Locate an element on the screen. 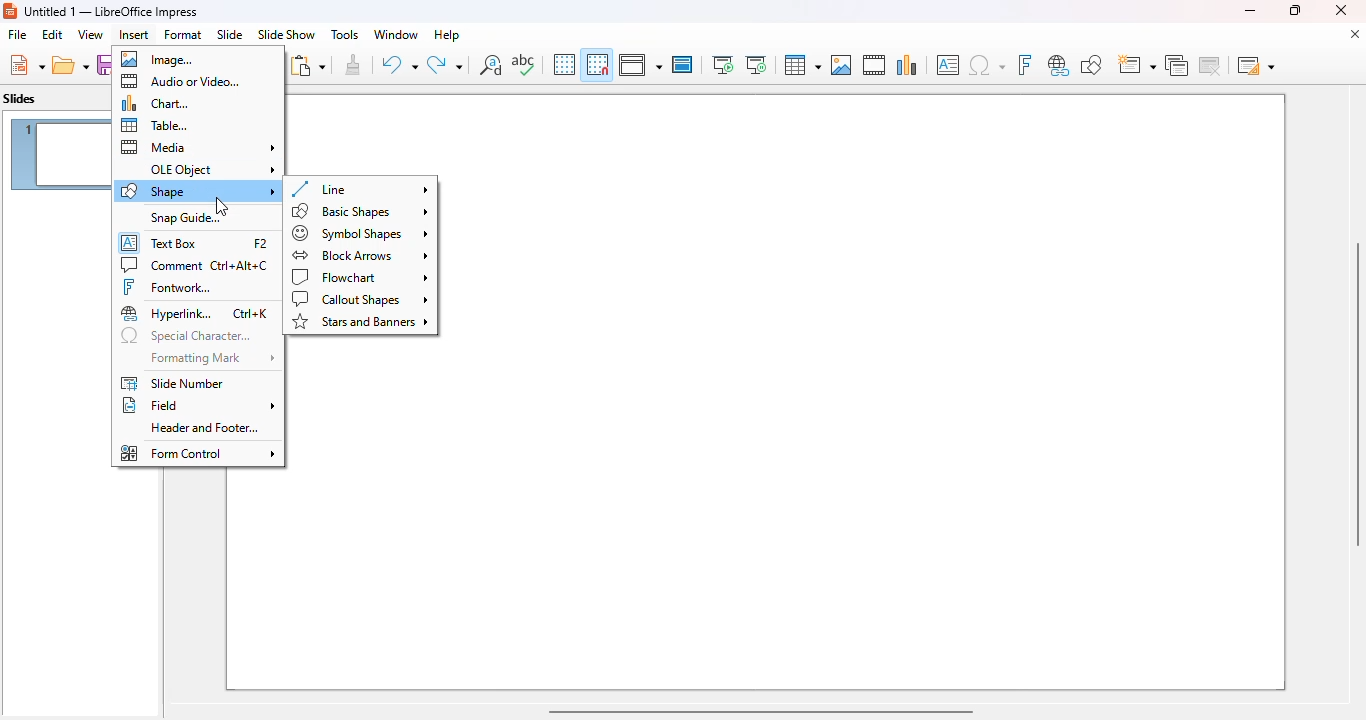 The height and width of the screenshot is (720, 1366). slide layout is located at coordinates (1256, 65).